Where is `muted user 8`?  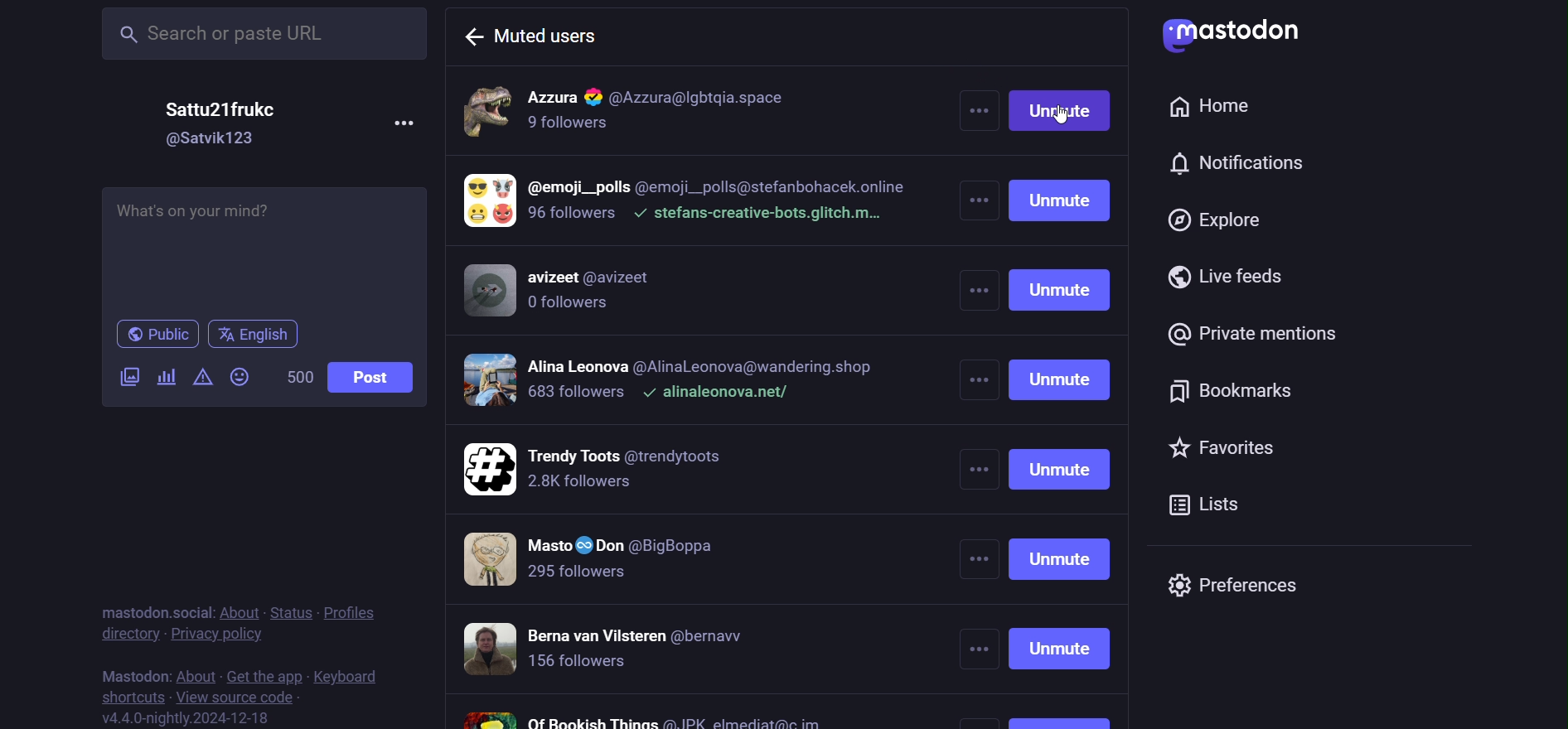 muted user 8 is located at coordinates (646, 717).